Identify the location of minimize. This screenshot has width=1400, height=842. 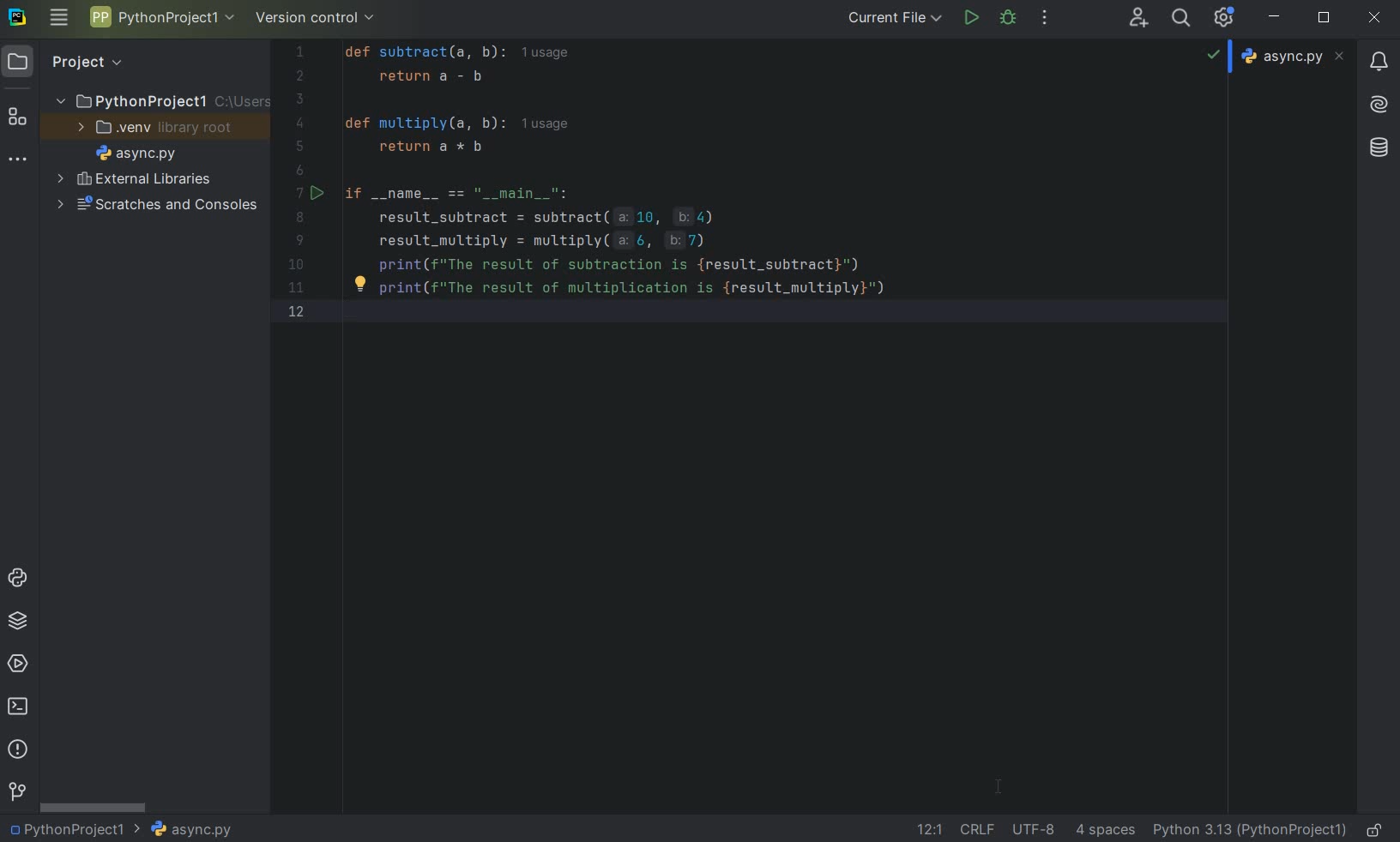
(1274, 17).